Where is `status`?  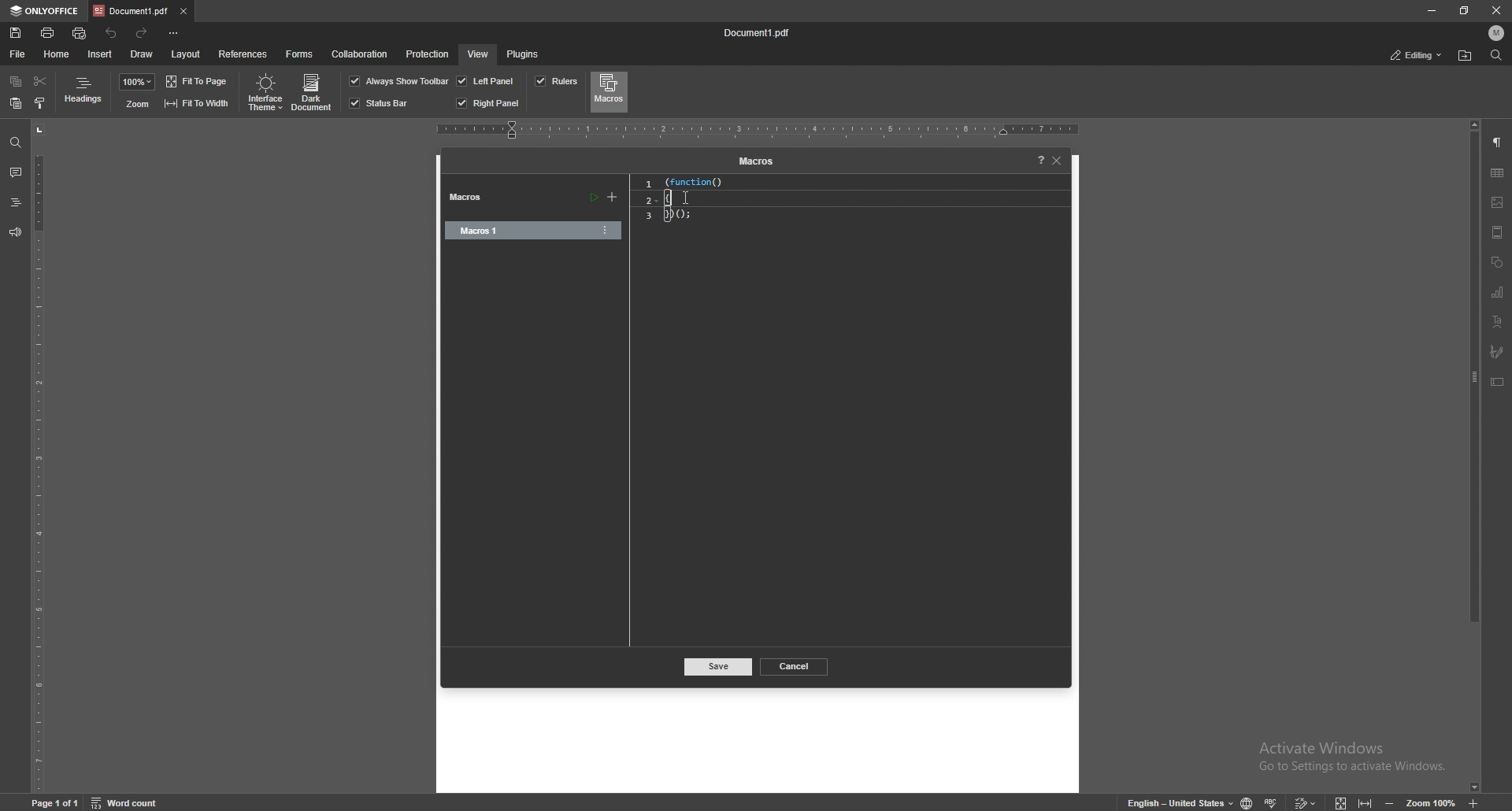 status is located at coordinates (1417, 54).